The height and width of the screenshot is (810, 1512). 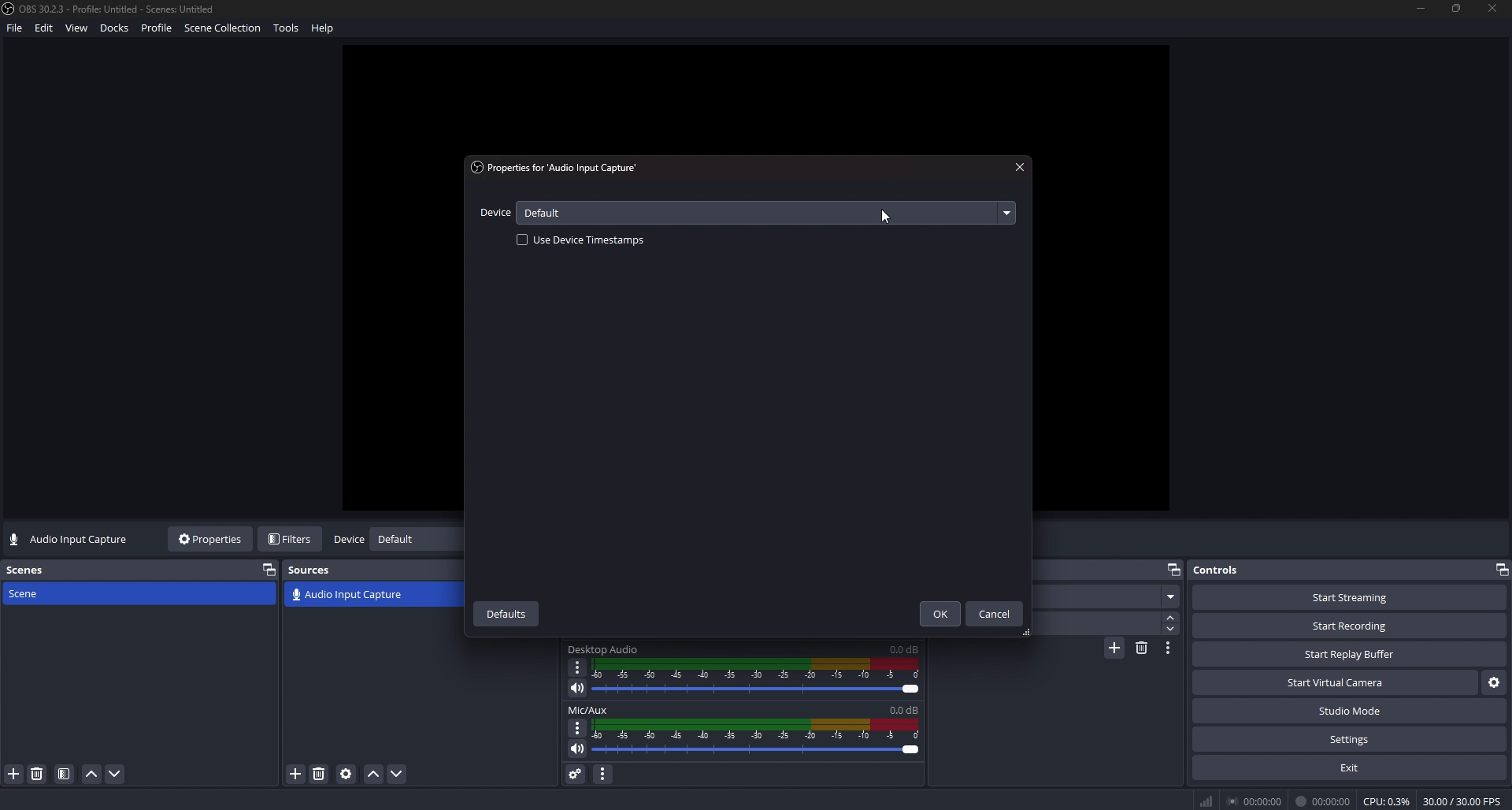 I want to click on pop out, so click(x=1503, y=570).